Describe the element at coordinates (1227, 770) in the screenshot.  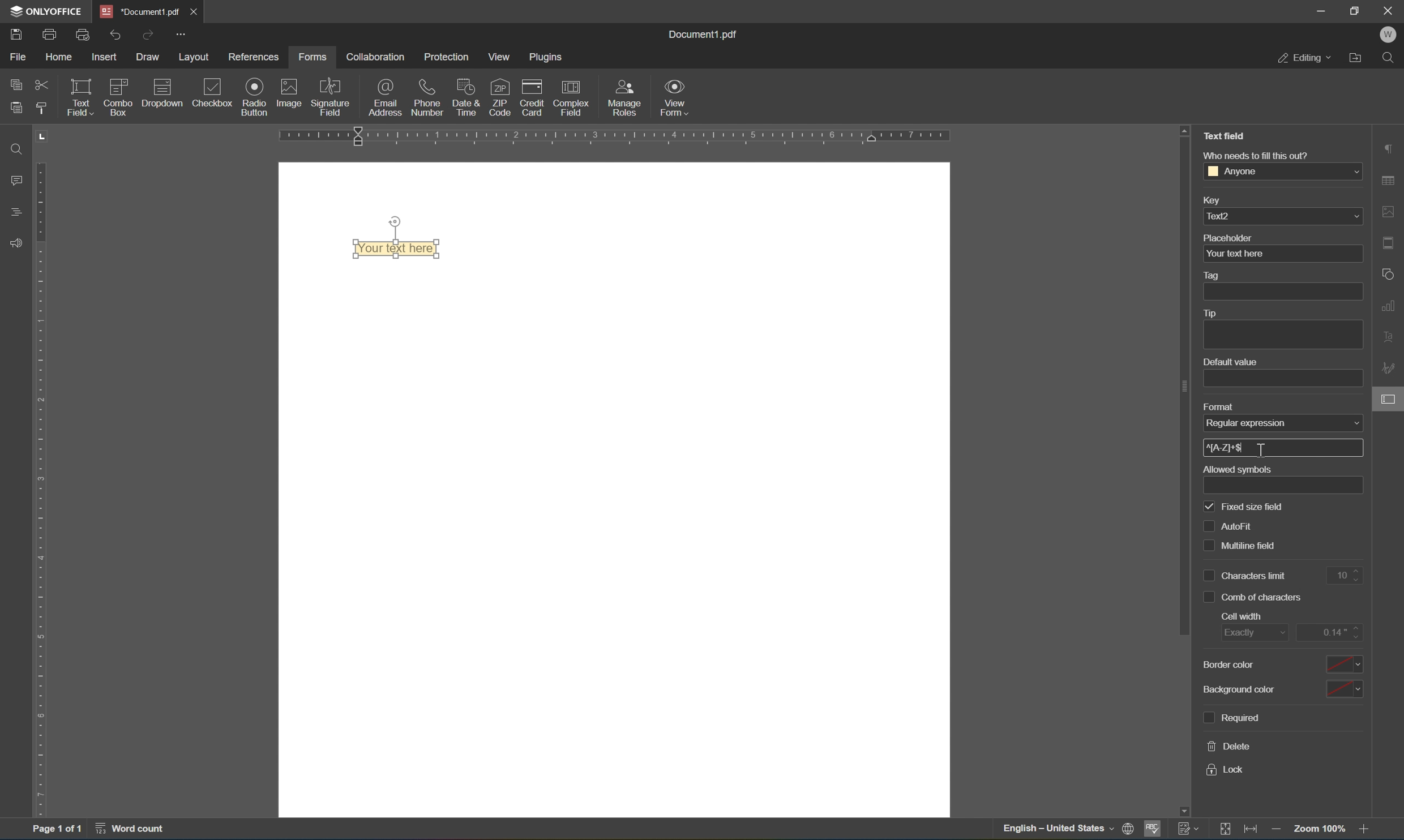
I see `lock` at that location.